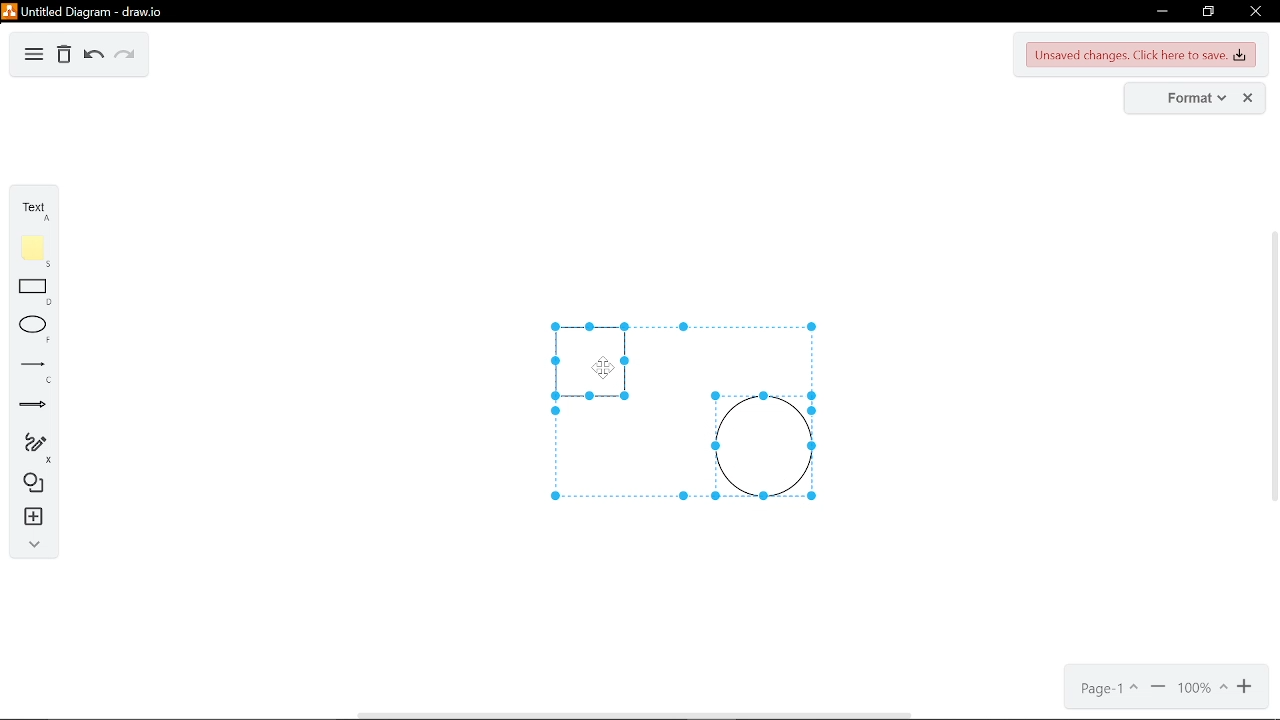 Image resolution: width=1280 pixels, height=720 pixels. I want to click on redo, so click(123, 58).